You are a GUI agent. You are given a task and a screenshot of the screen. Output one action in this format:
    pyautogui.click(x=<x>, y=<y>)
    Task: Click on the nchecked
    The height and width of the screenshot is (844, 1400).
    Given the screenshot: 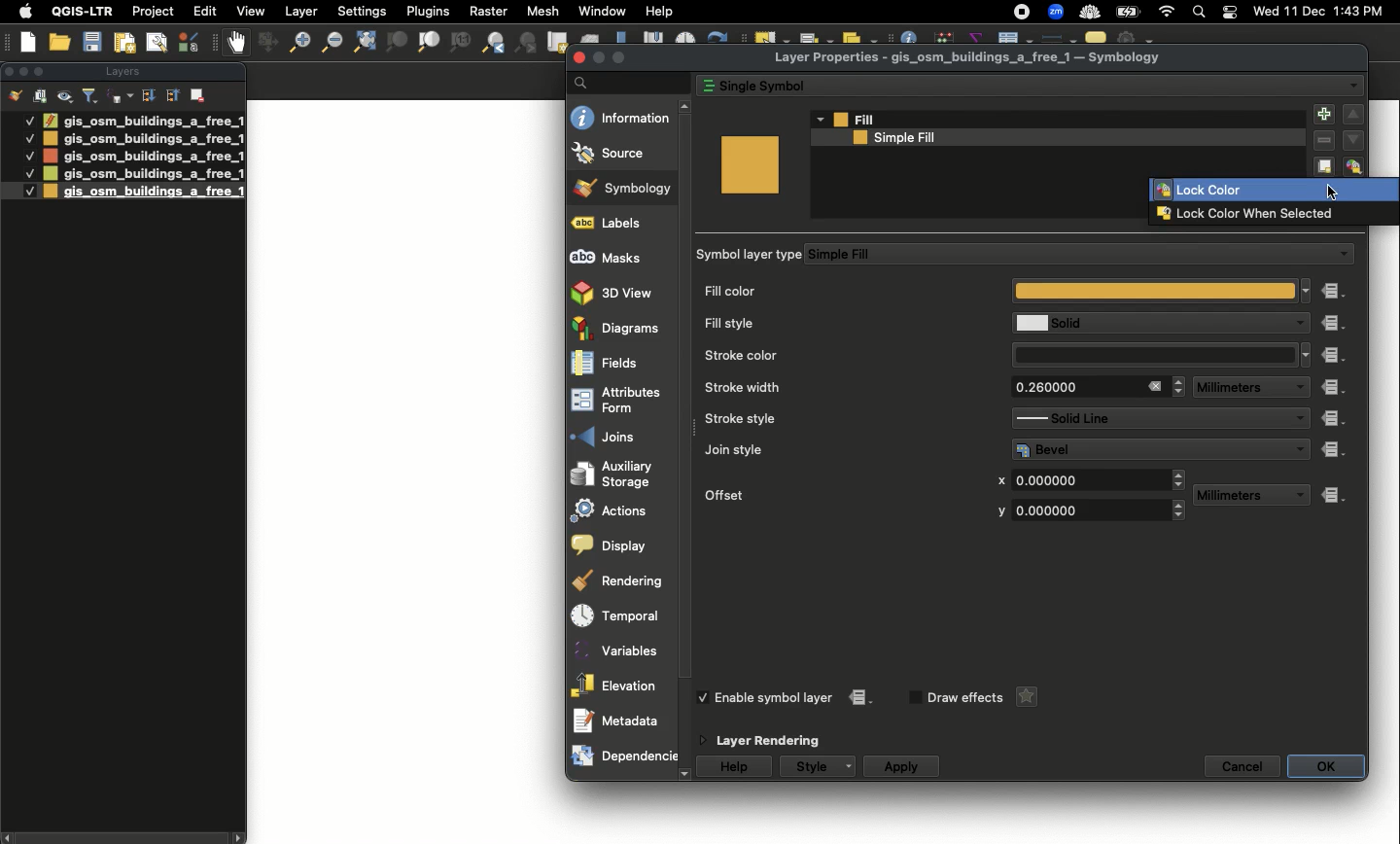 What is the action you would take?
    pyautogui.click(x=913, y=698)
    